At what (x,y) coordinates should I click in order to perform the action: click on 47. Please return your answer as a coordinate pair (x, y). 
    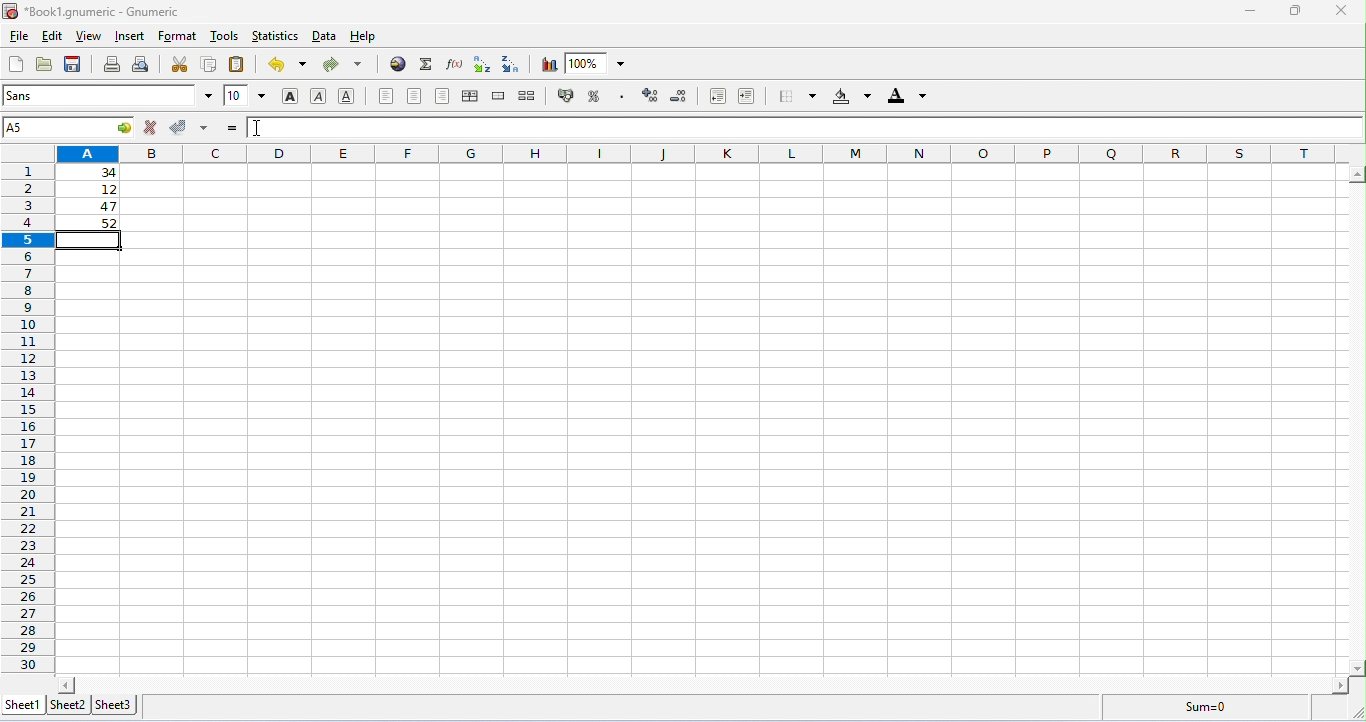
    Looking at the image, I should click on (93, 207).